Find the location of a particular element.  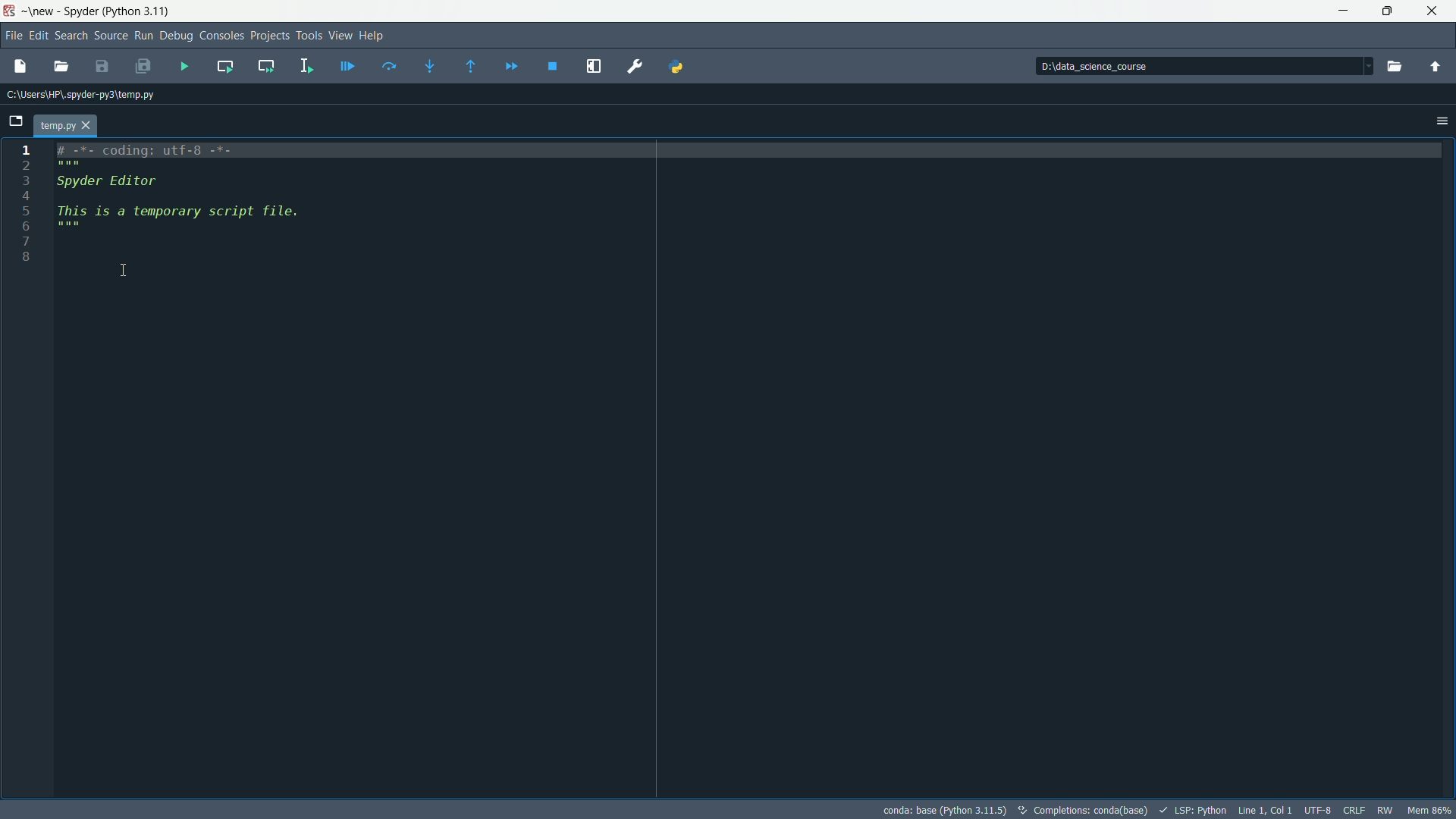

7 is located at coordinates (61, 244).